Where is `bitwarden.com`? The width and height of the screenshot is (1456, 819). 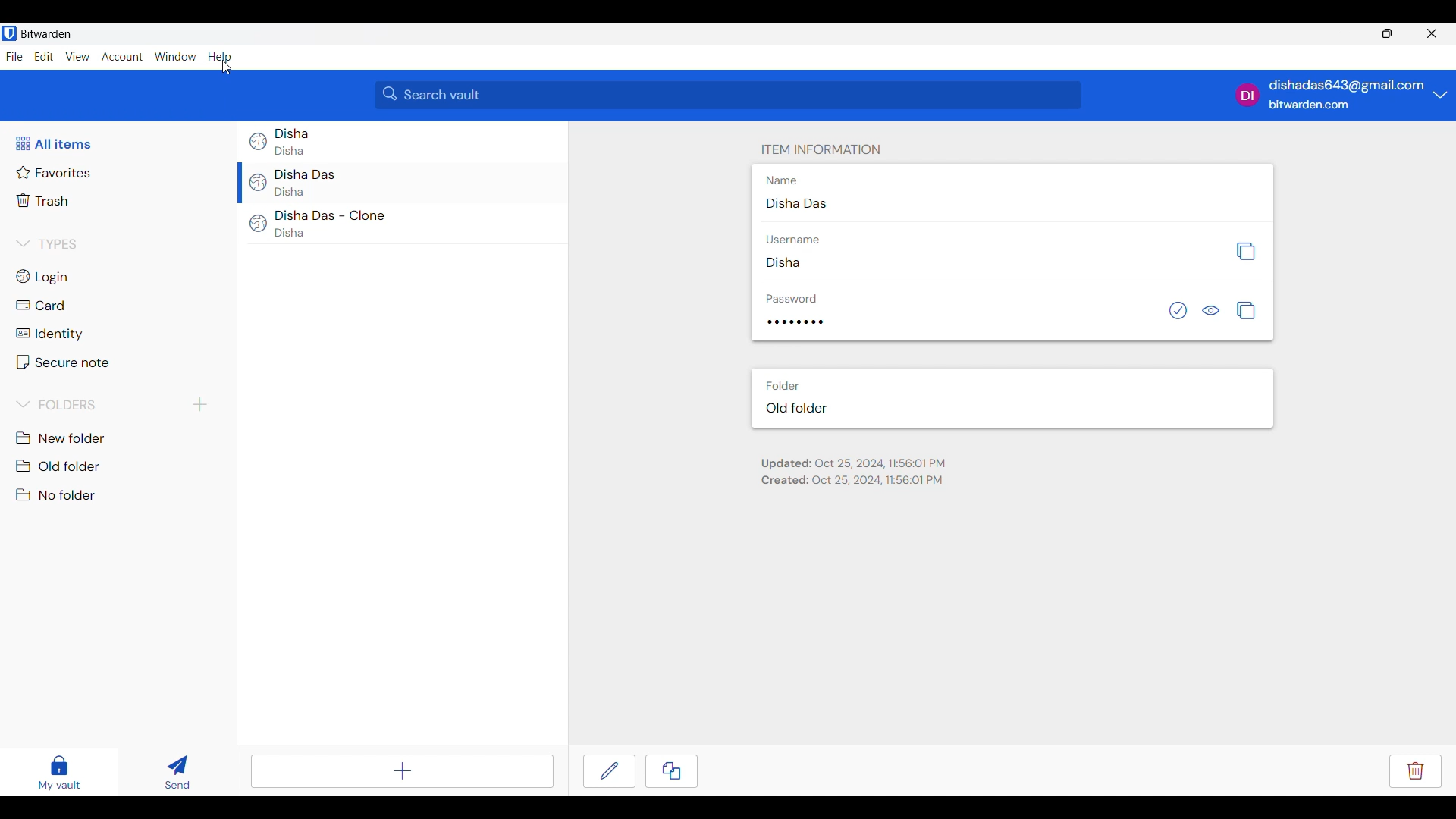
bitwarden.com is located at coordinates (1309, 105).